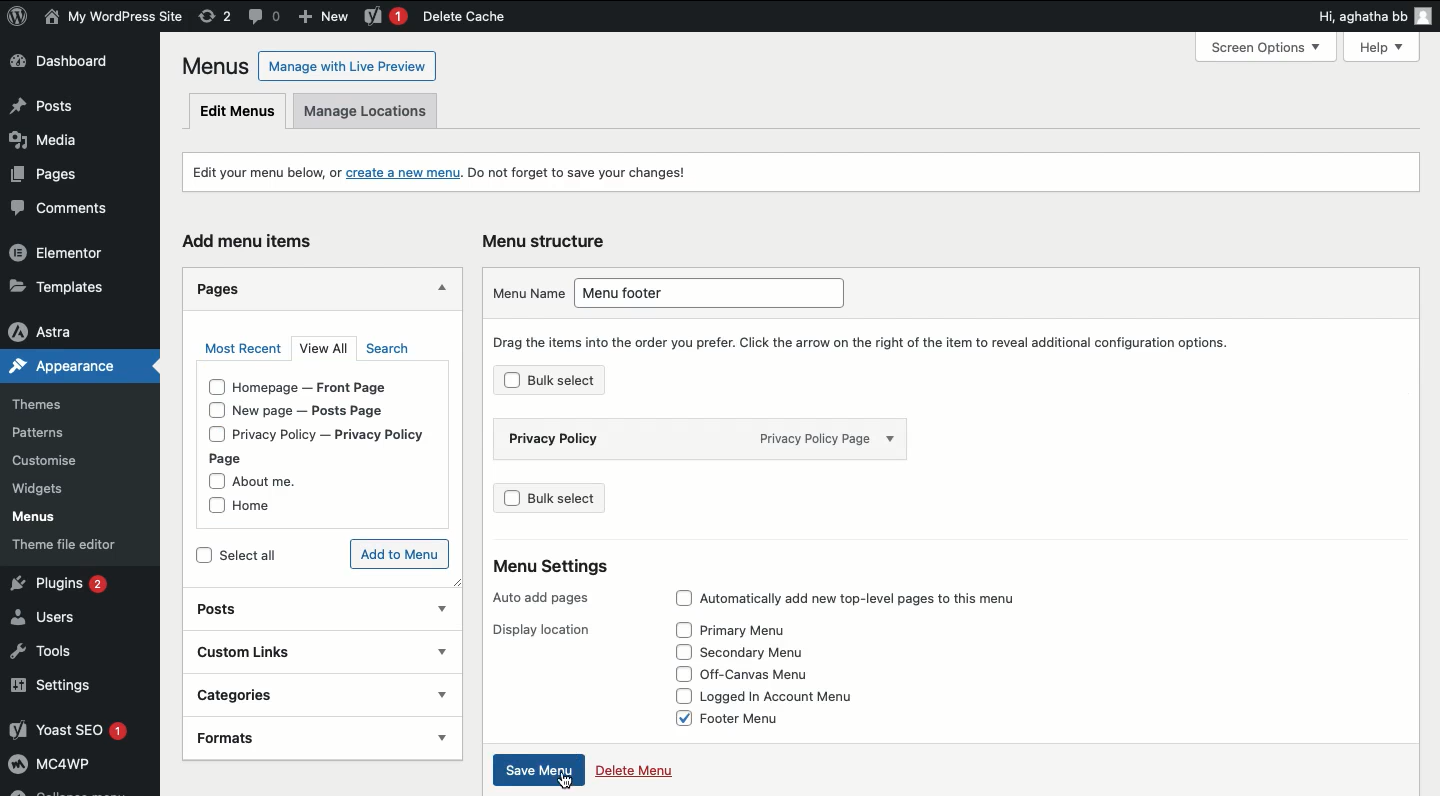  I want to click on  Do not forget to save your changes!, so click(593, 174).